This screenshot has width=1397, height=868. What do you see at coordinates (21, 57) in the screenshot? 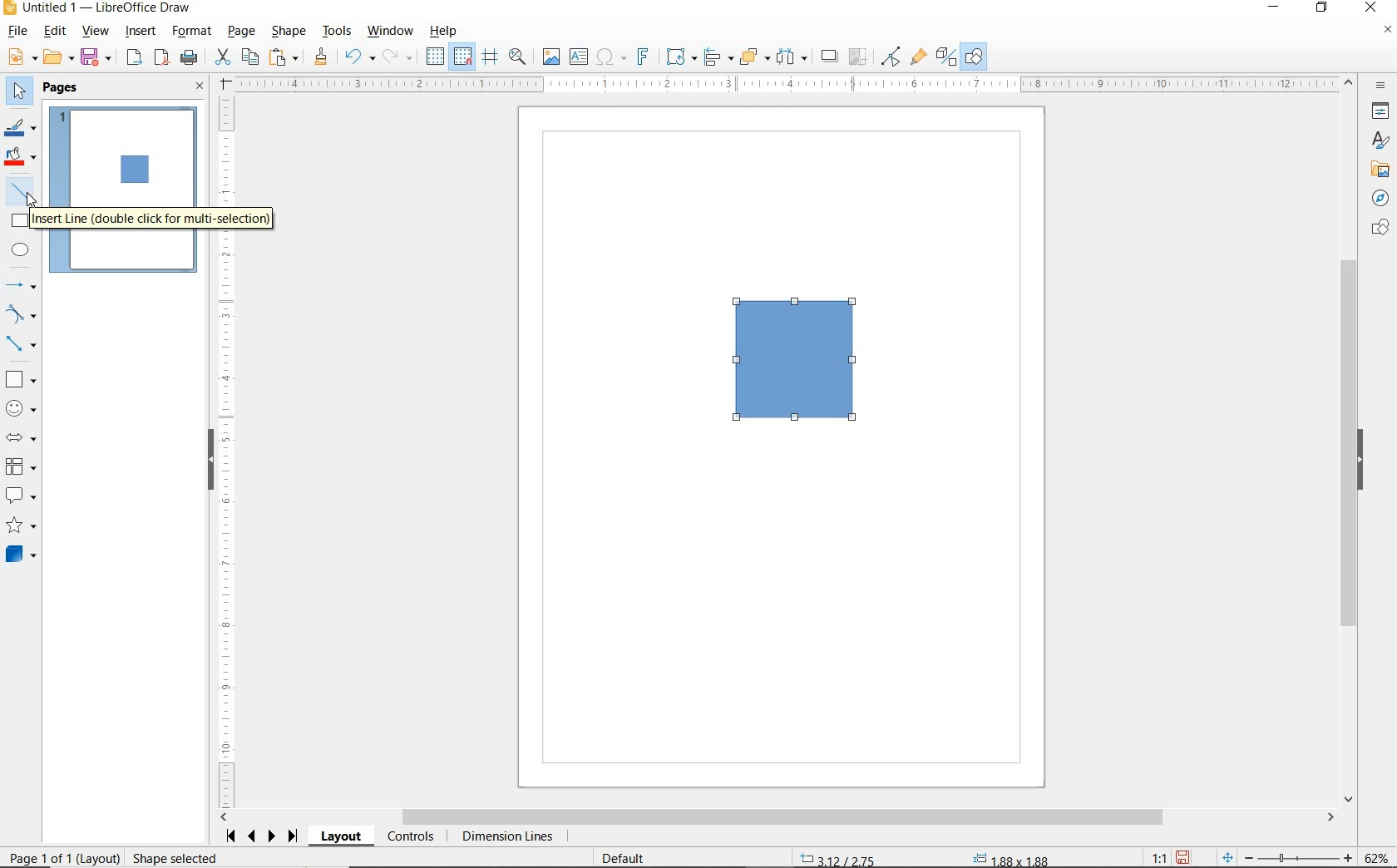
I see `NEW` at bounding box center [21, 57].